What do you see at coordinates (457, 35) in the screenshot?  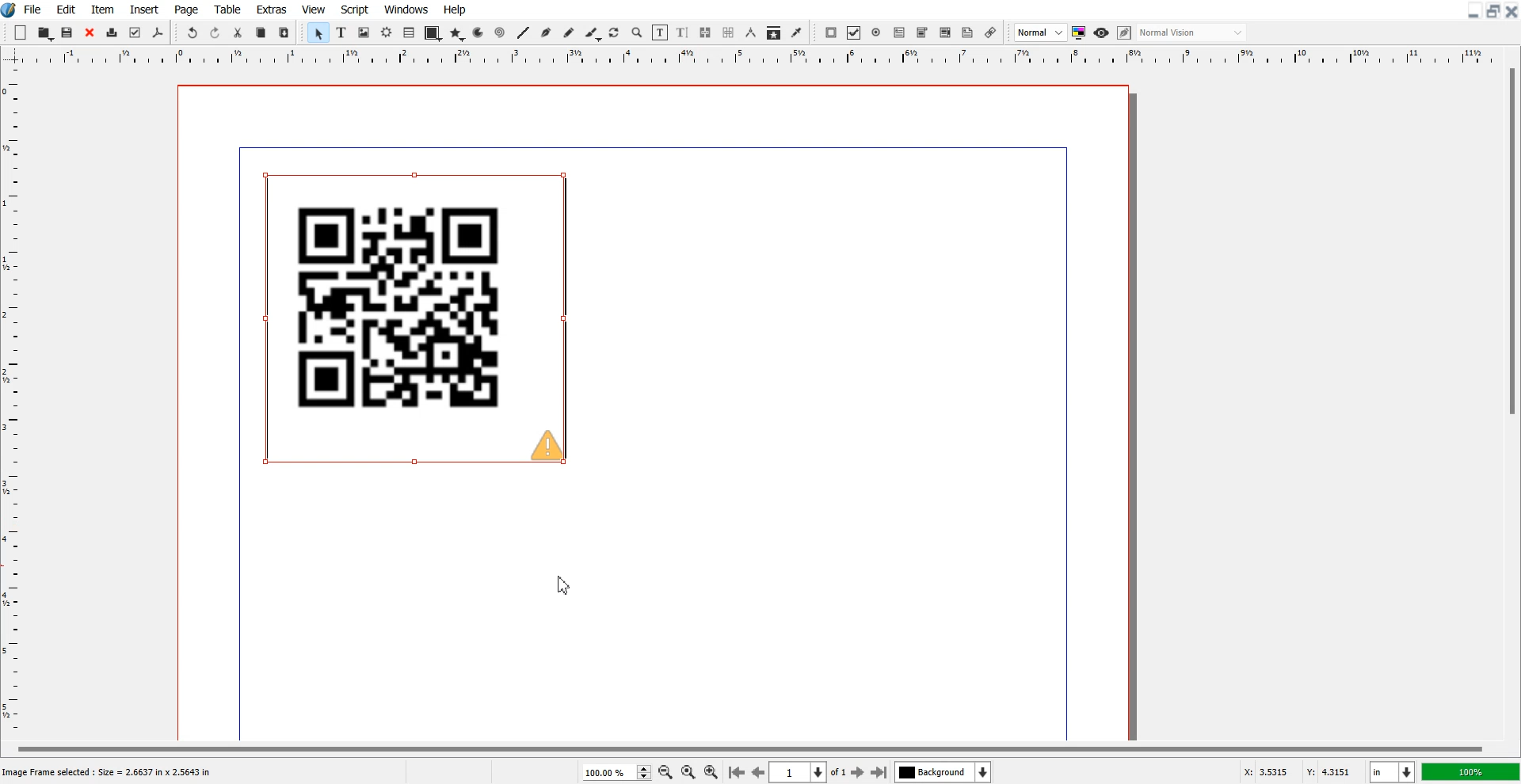 I see `Polygon` at bounding box center [457, 35].